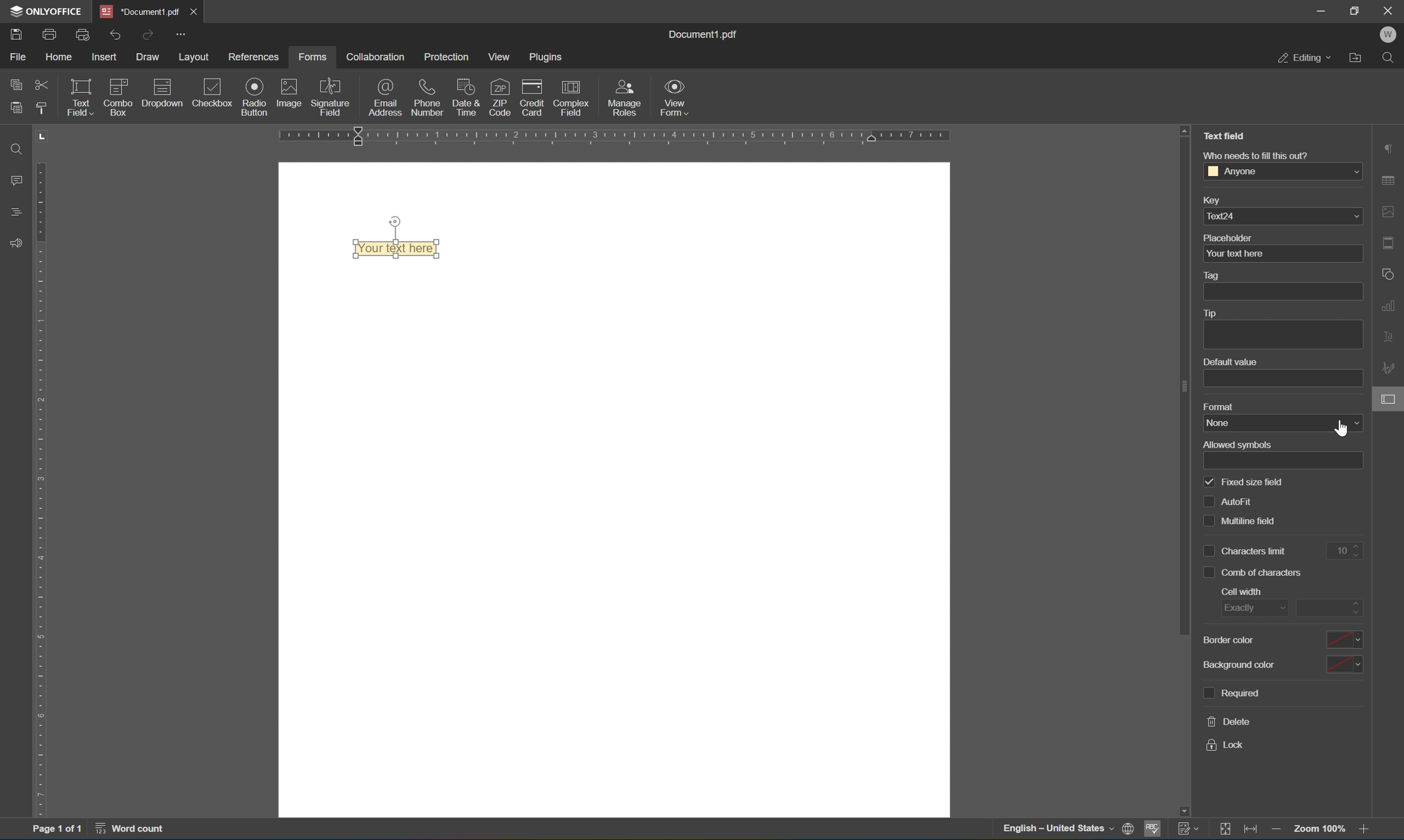  Describe the element at coordinates (18, 211) in the screenshot. I see `headings` at that location.